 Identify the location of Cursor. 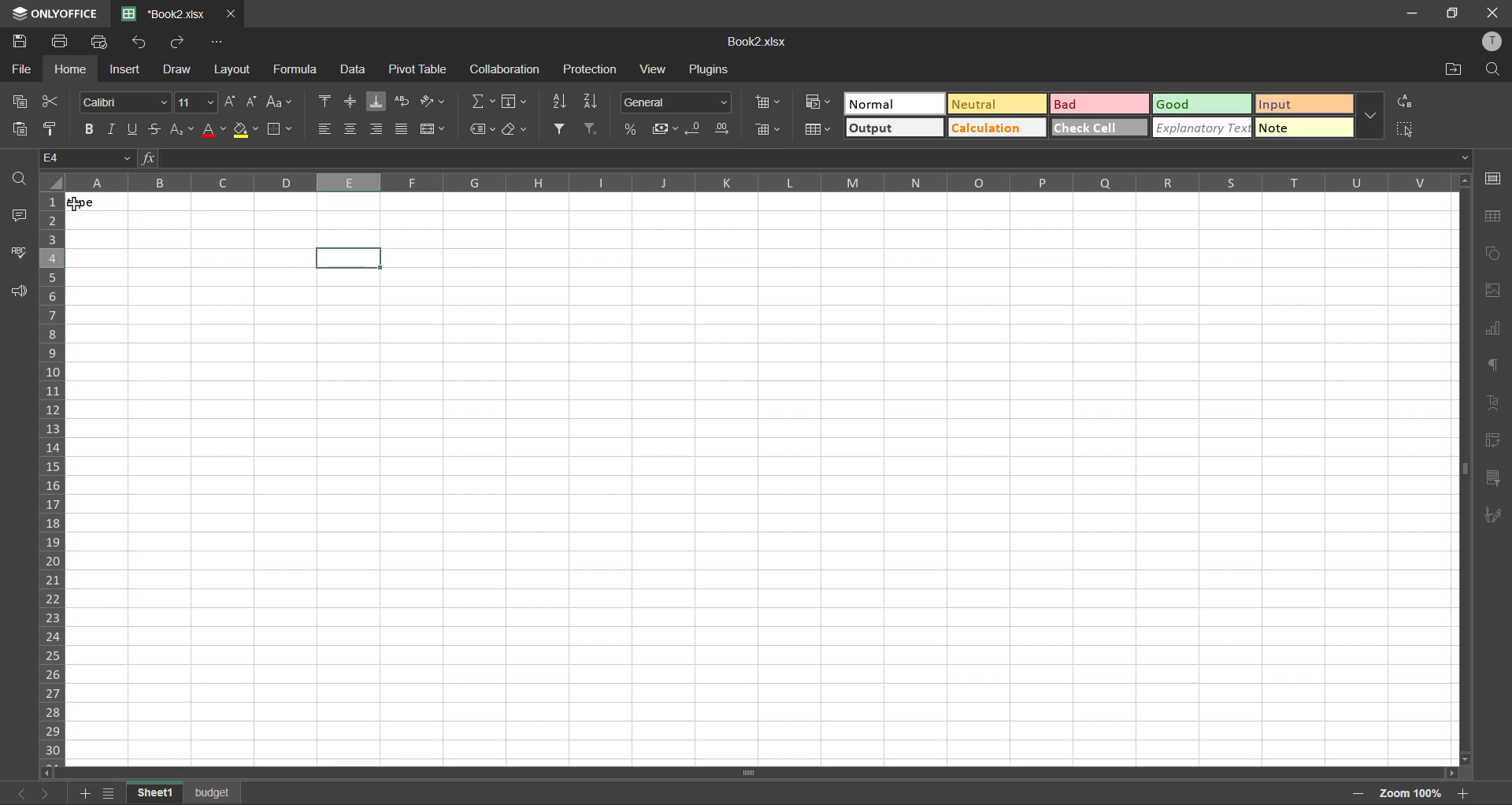
(76, 206).